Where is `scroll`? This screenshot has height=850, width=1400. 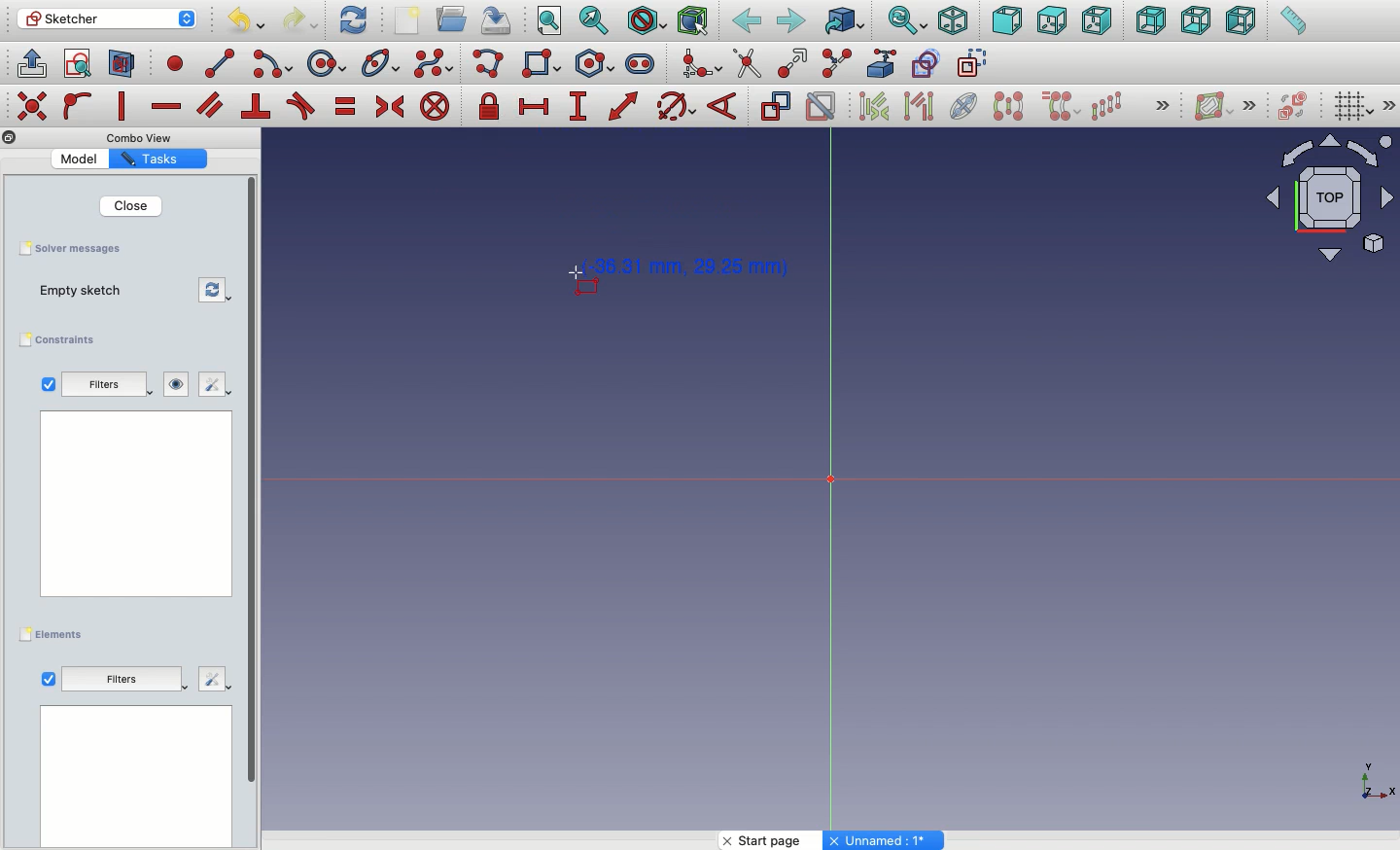
scroll is located at coordinates (254, 511).